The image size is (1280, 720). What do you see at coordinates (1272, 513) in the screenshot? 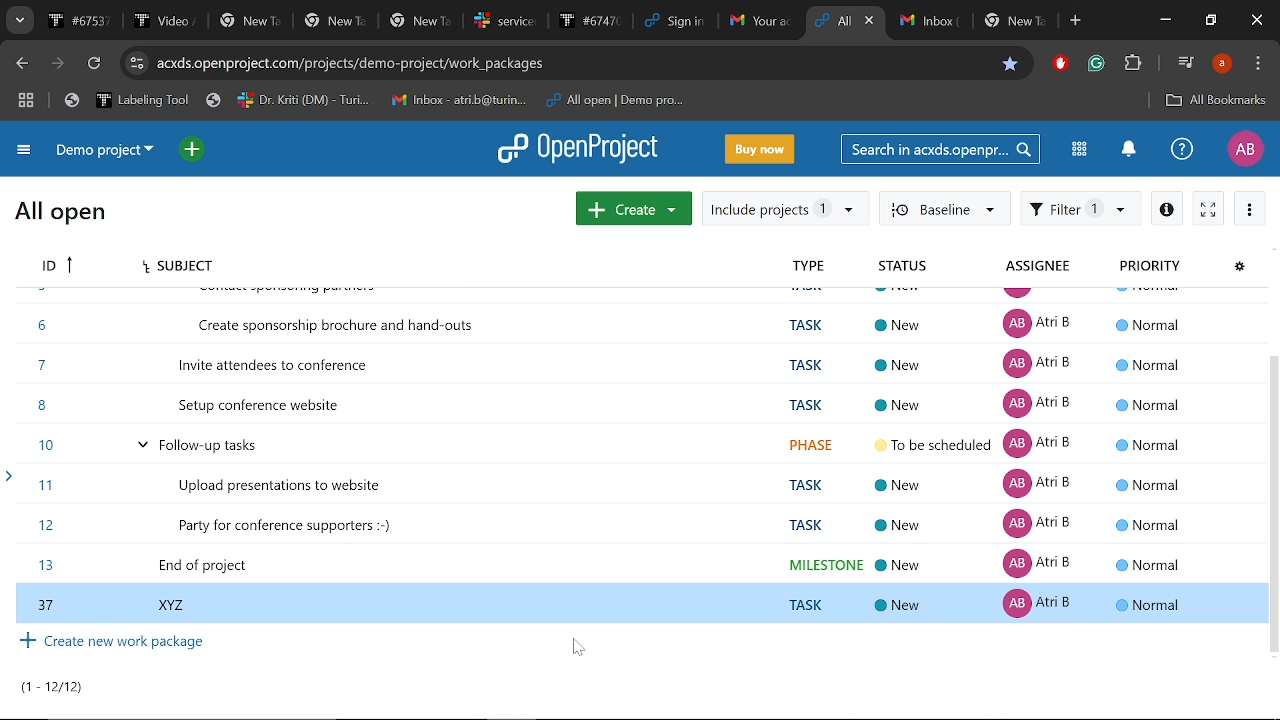
I see `vertical scrollbar` at bounding box center [1272, 513].